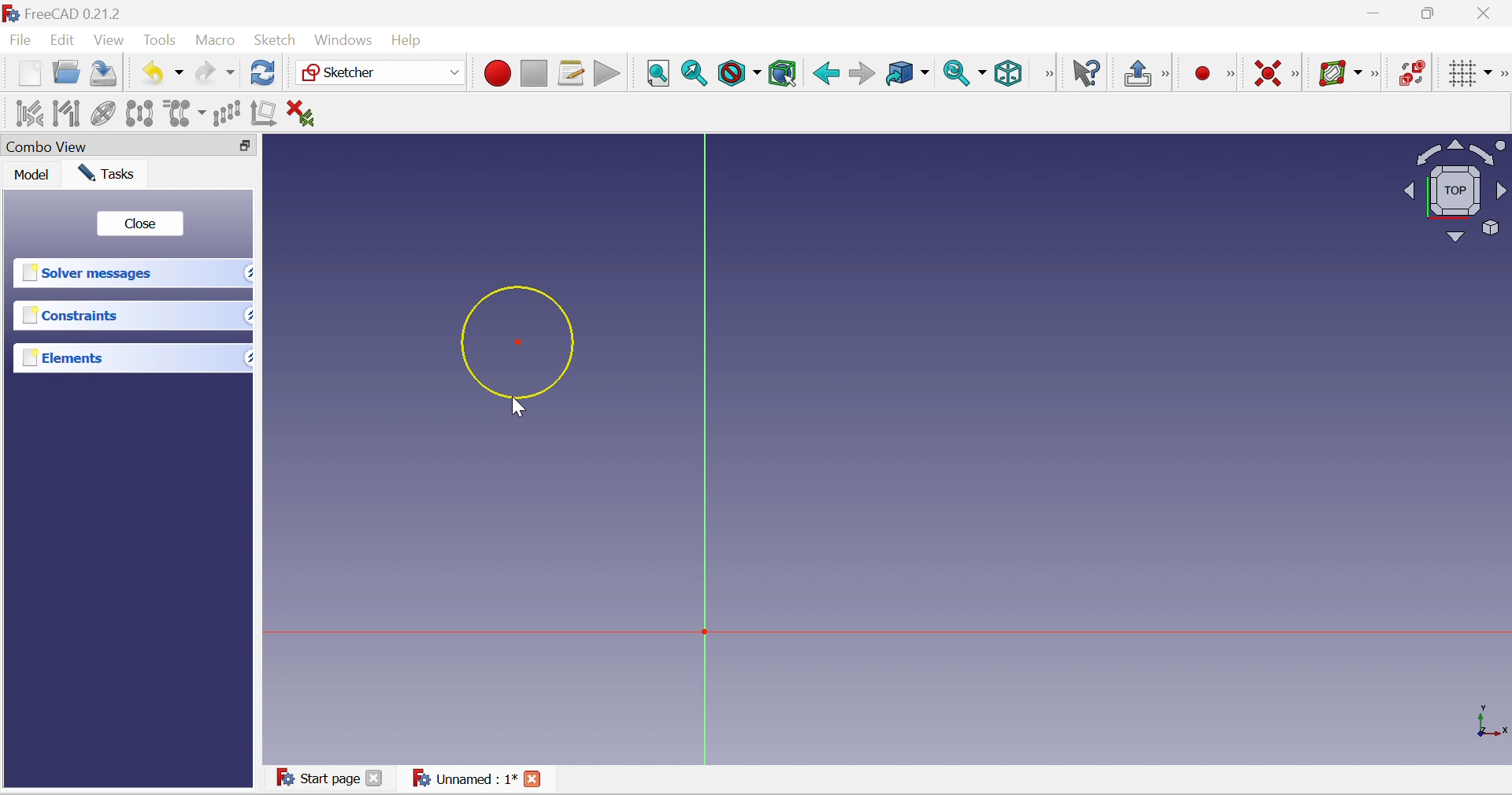 This screenshot has width=1512, height=795. Describe the element at coordinates (1454, 194) in the screenshot. I see `Viewing angle` at that location.